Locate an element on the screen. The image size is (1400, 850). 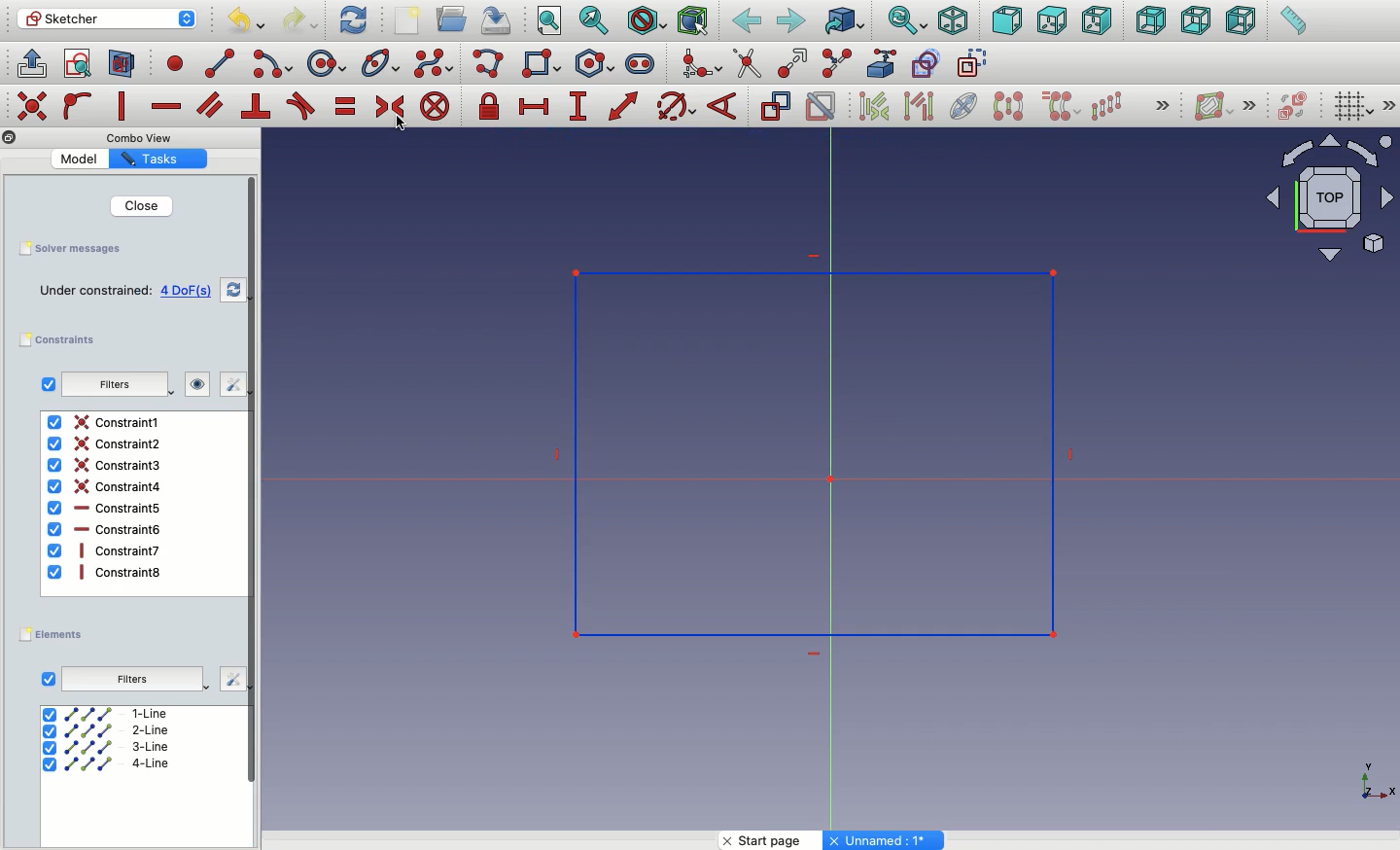
Constraint1 is located at coordinates (103, 422).